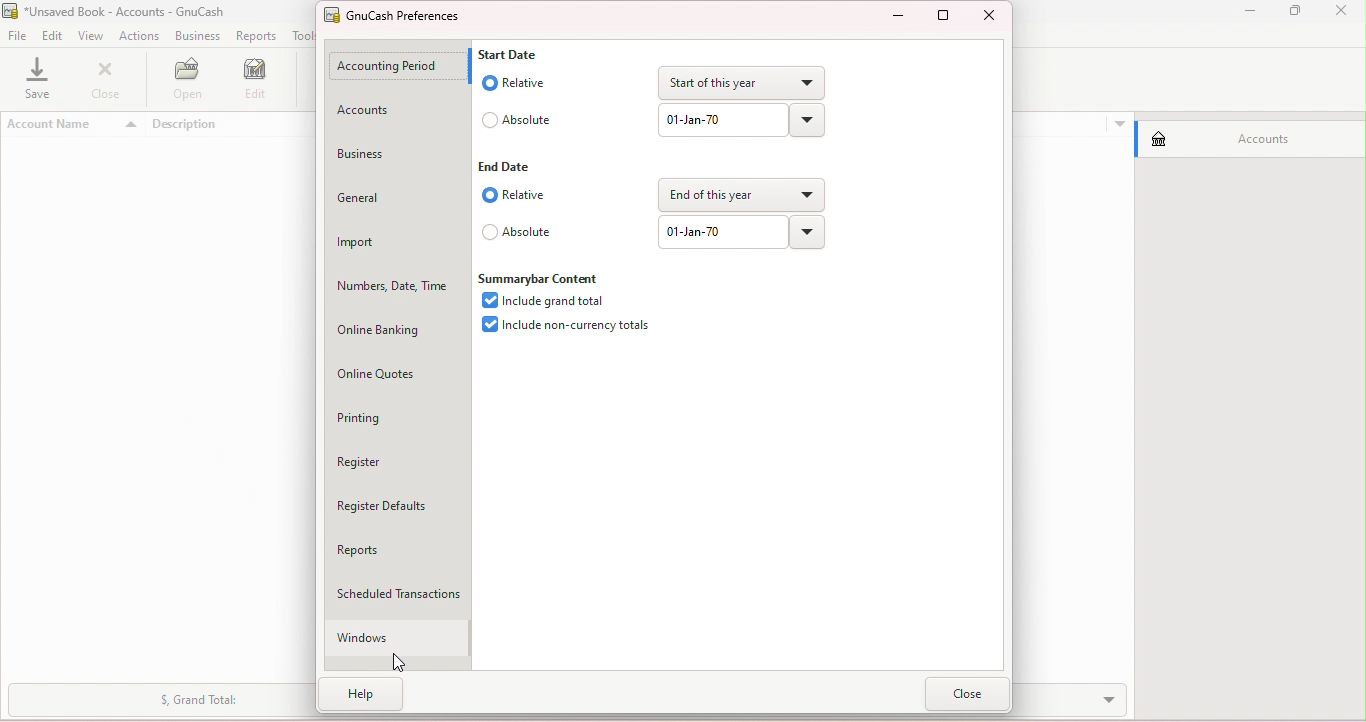  Describe the element at coordinates (395, 547) in the screenshot. I see `Reports` at that location.